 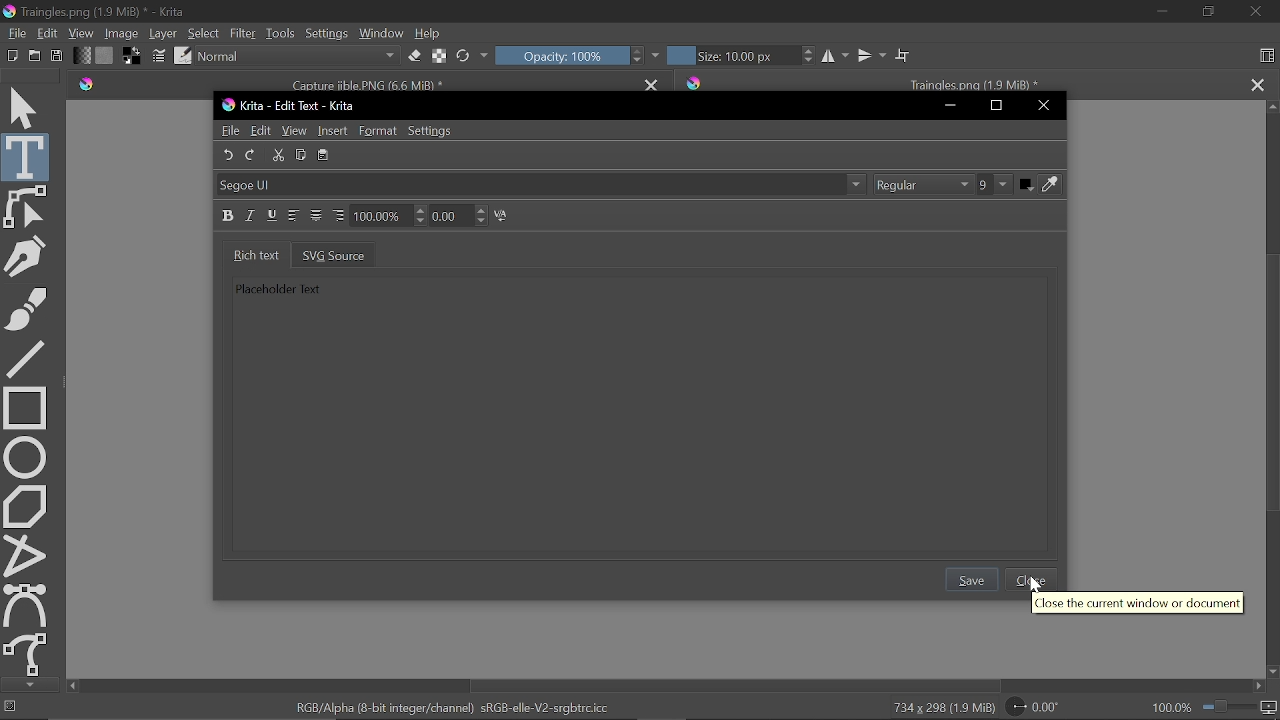 What do you see at coordinates (326, 36) in the screenshot?
I see `Settings` at bounding box center [326, 36].